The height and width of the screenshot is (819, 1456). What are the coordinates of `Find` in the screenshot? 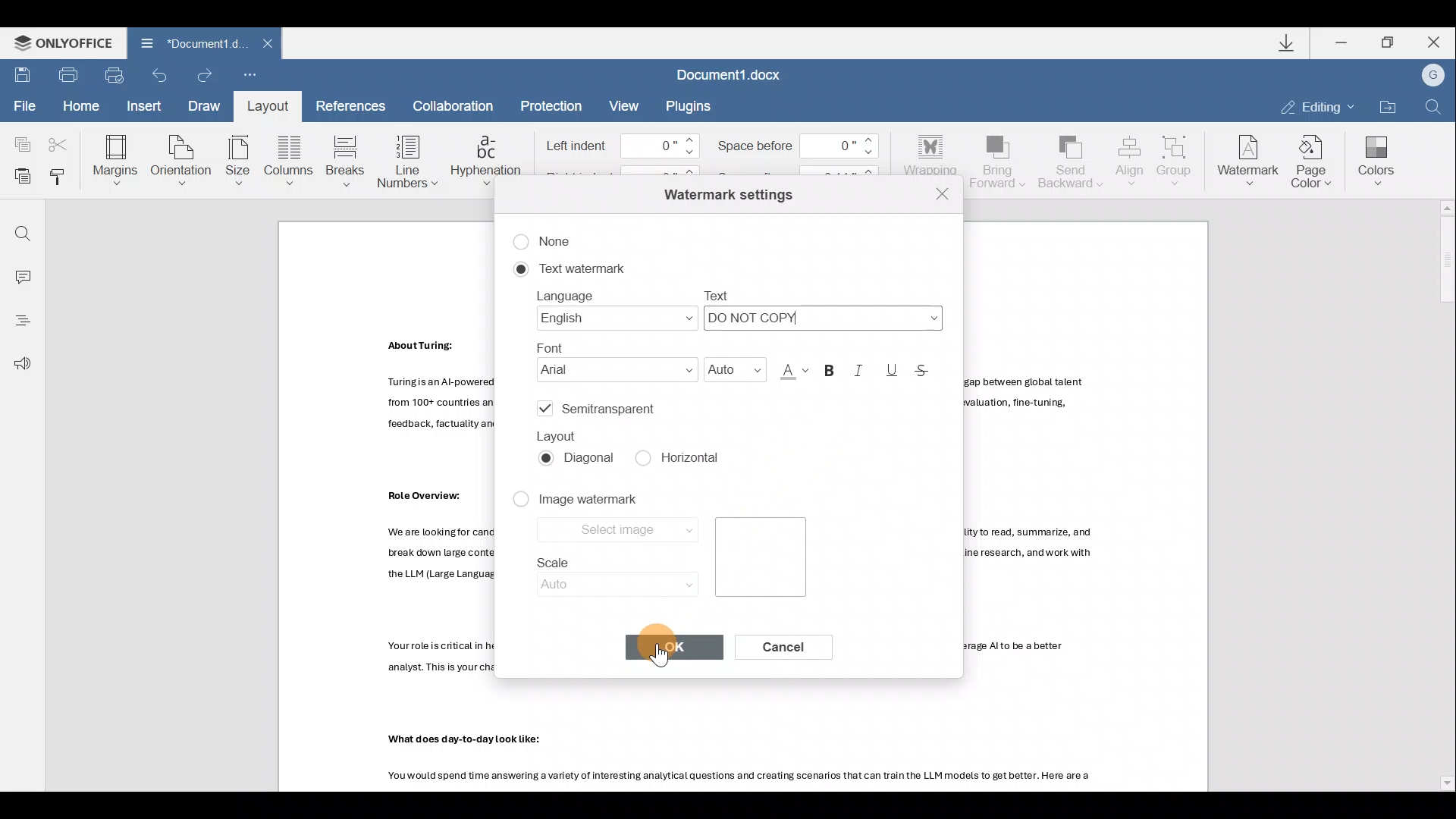 It's located at (21, 229).